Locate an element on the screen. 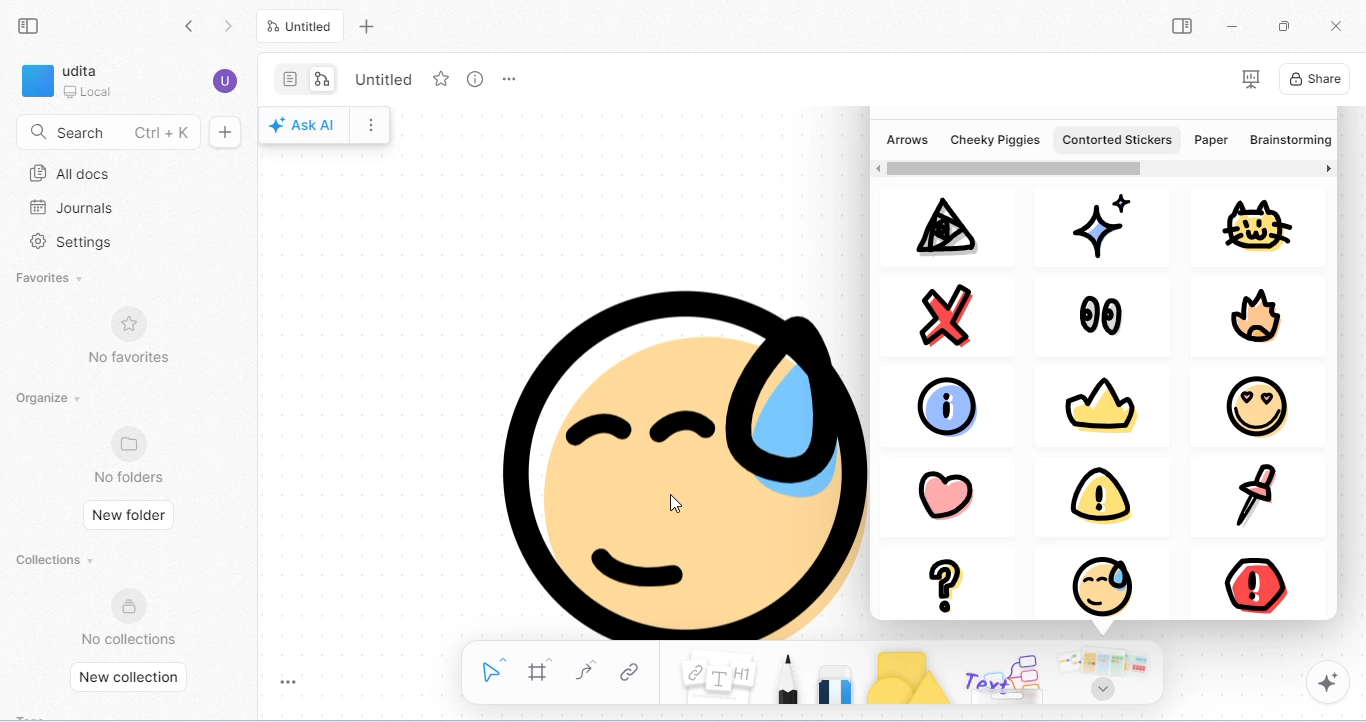 Image resolution: width=1366 pixels, height=722 pixels. info is located at coordinates (955, 404).